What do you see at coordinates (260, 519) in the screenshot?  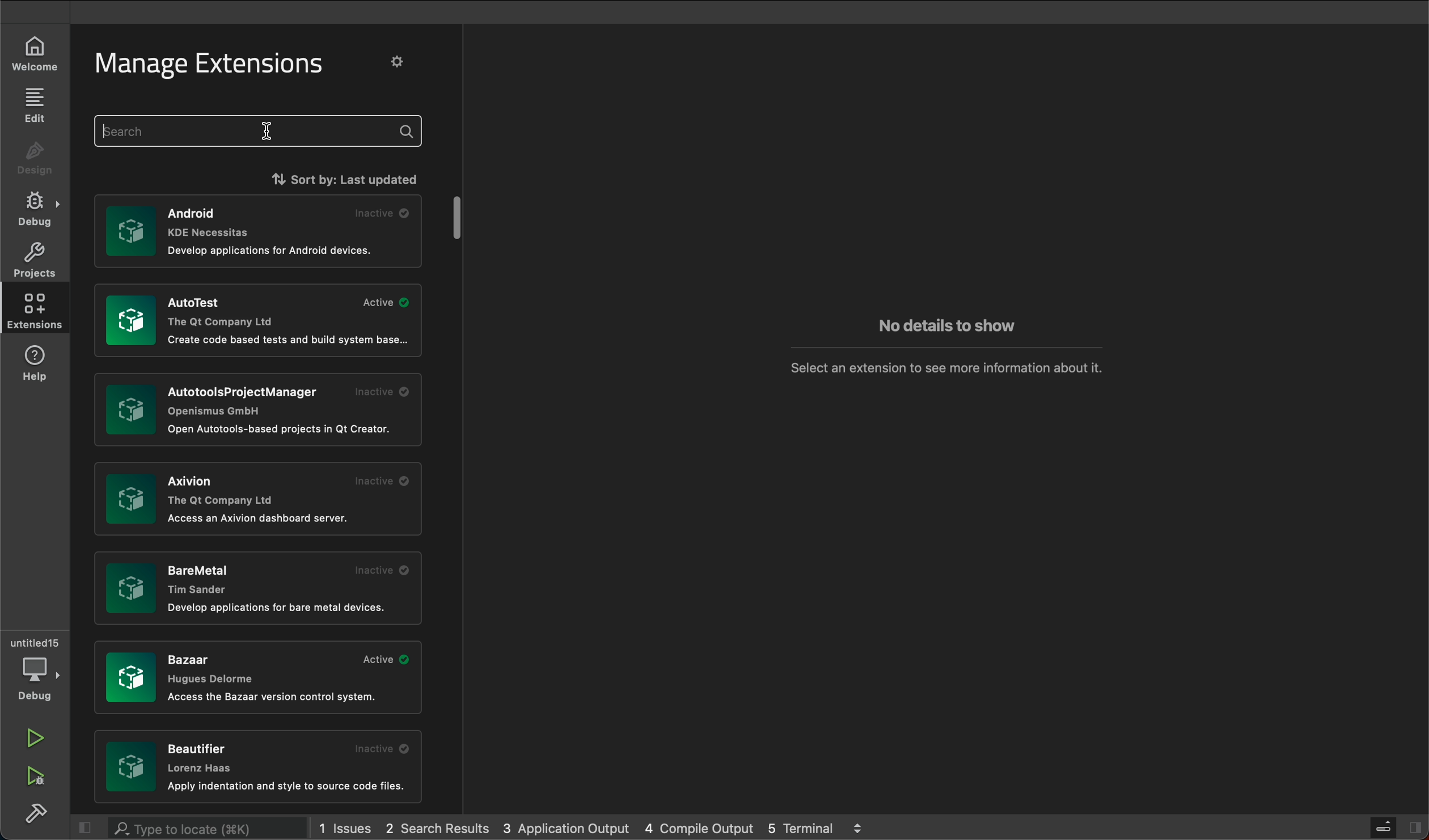 I see `extension text` at bounding box center [260, 519].